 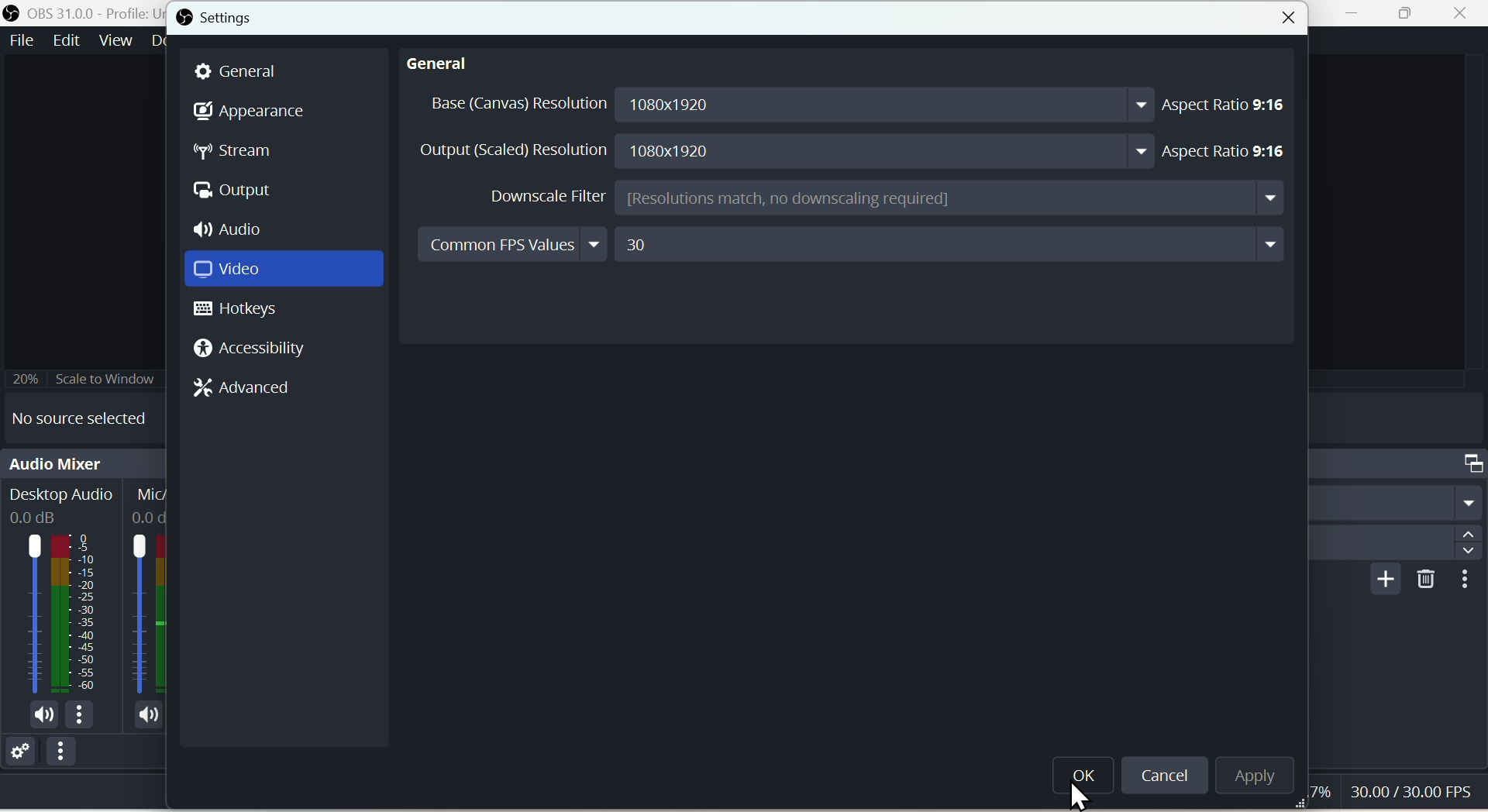 I want to click on okay, so click(x=1086, y=783).